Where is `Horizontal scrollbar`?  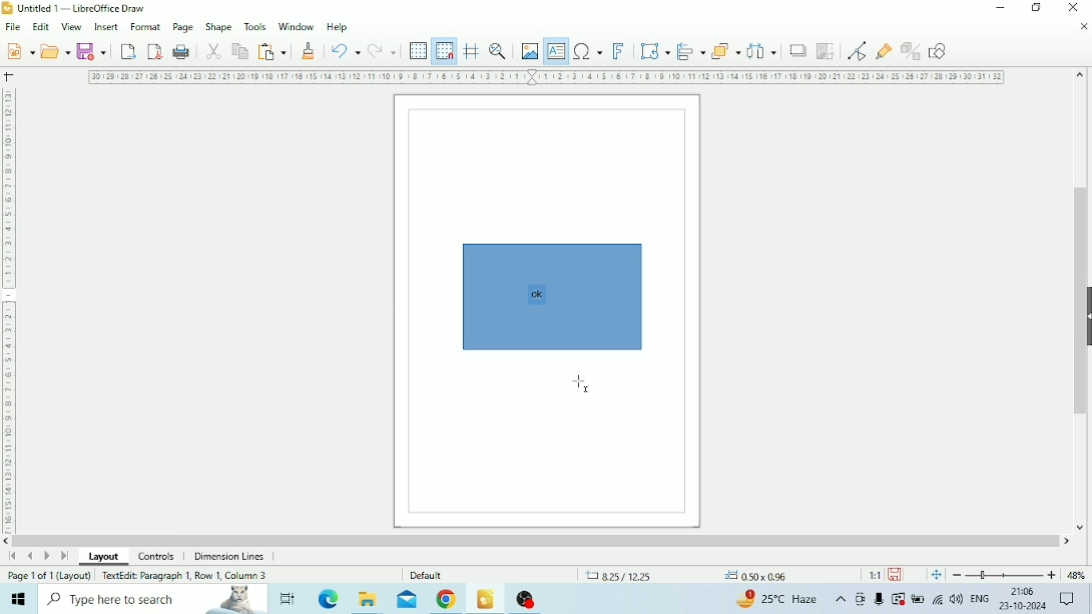 Horizontal scrollbar is located at coordinates (536, 541).